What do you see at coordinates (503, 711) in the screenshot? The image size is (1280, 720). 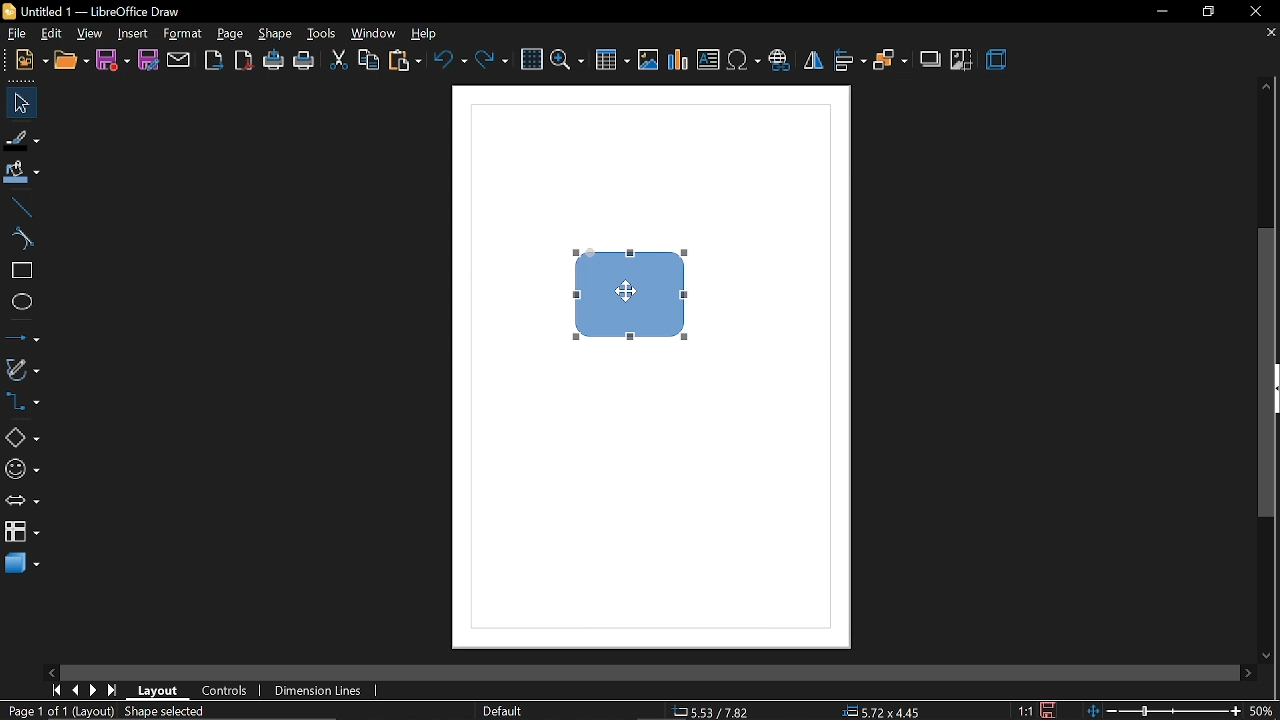 I see `page style` at bounding box center [503, 711].